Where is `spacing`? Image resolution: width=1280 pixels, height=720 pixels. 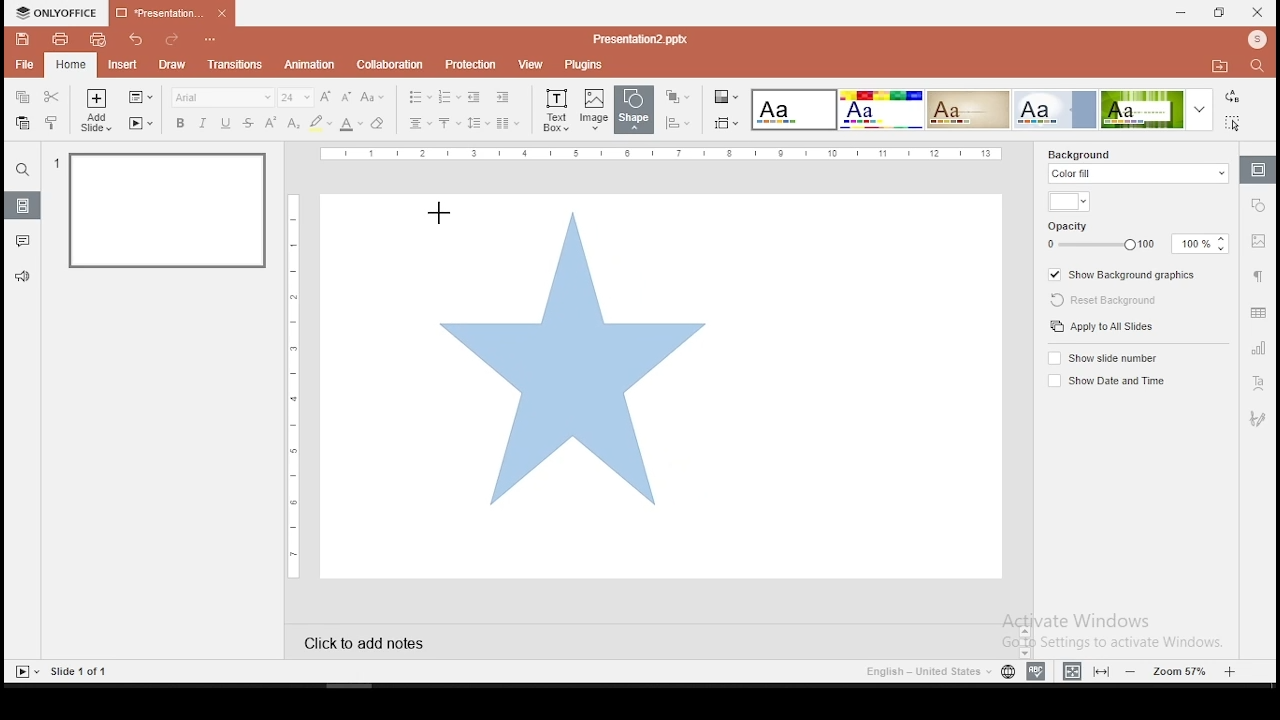
spacing is located at coordinates (477, 123).